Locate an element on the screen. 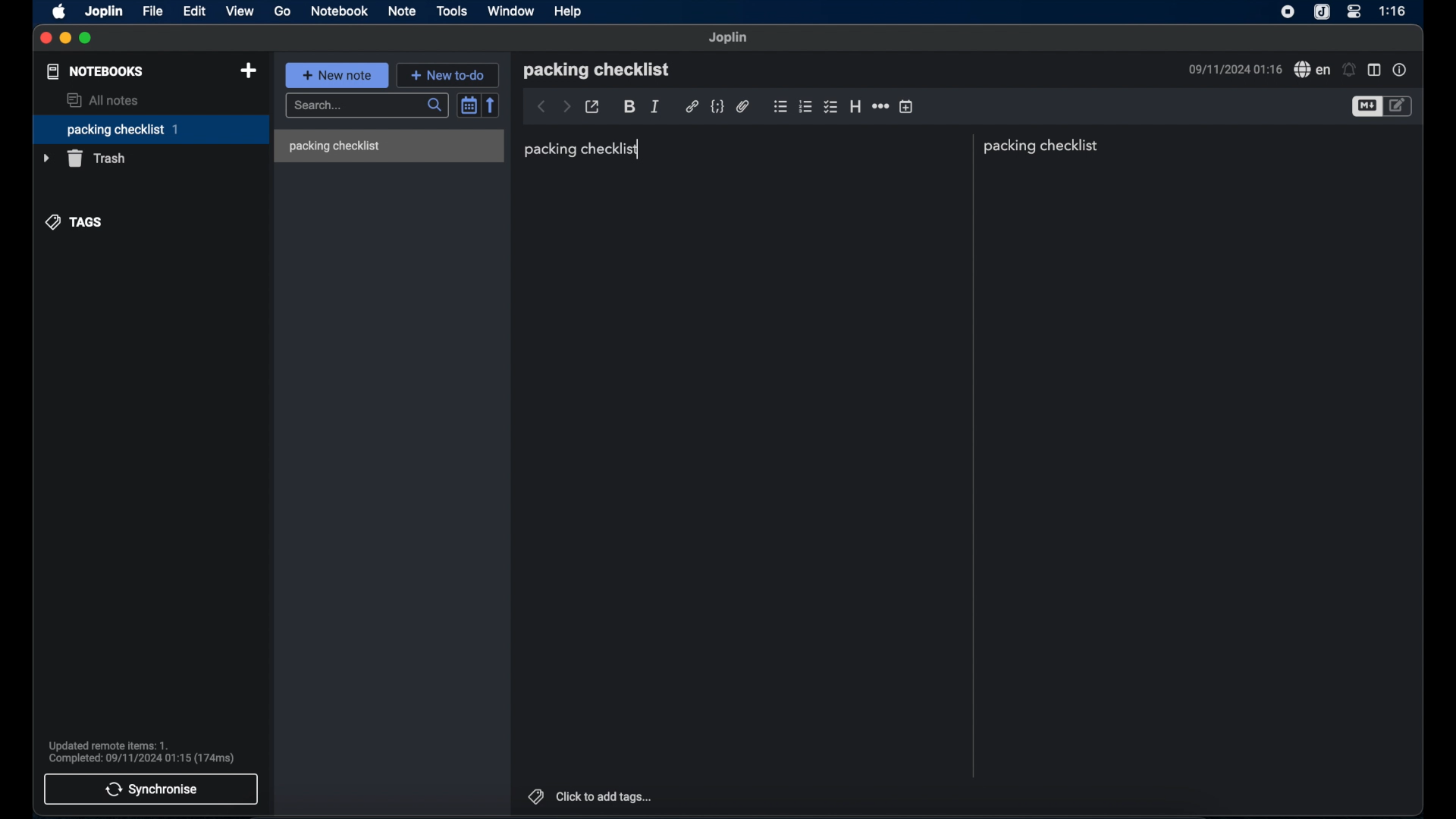 Image resolution: width=1456 pixels, height=819 pixels. note is located at coordinates (403, 11).